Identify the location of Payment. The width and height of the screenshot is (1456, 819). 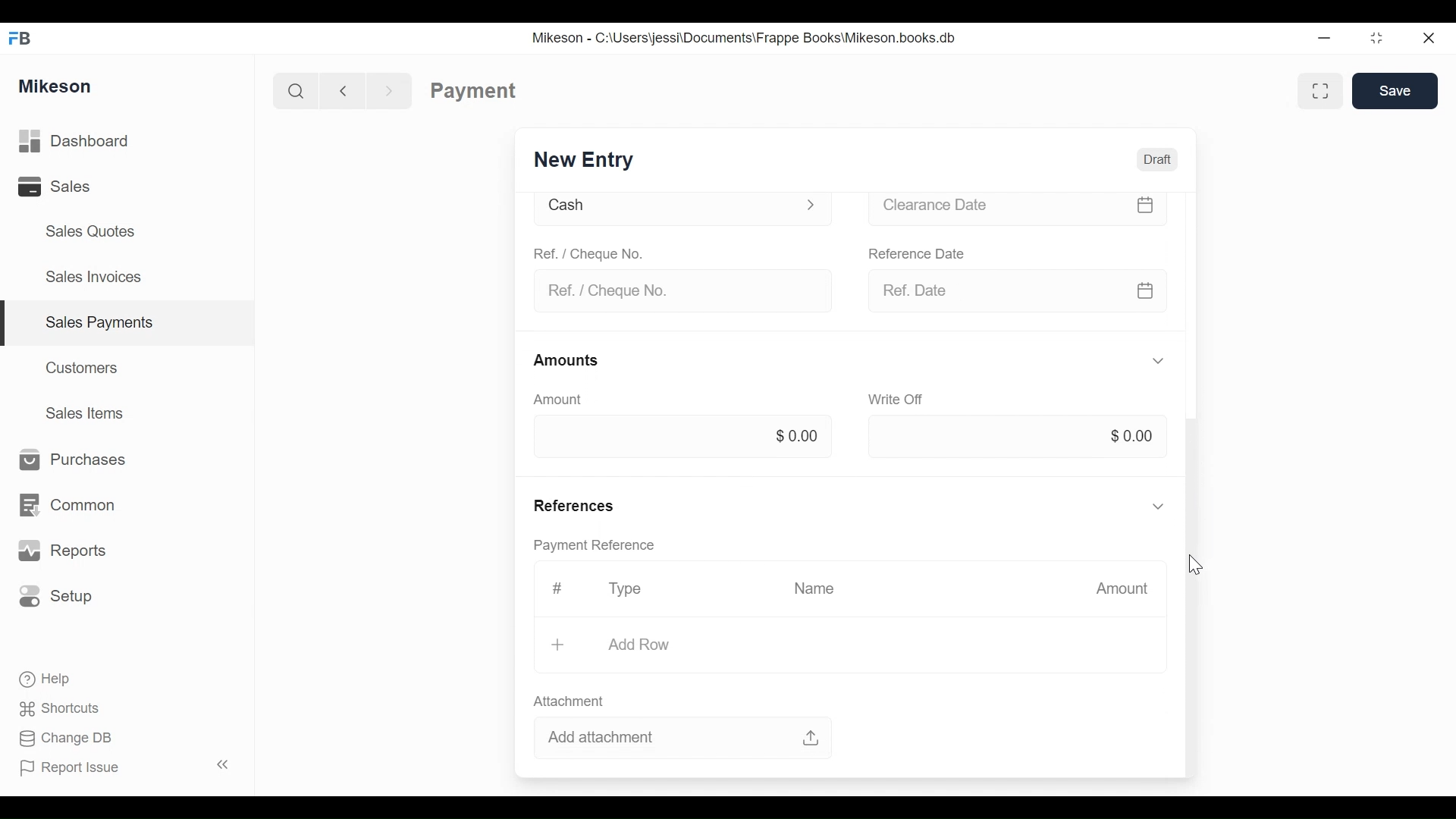
(472, 89).